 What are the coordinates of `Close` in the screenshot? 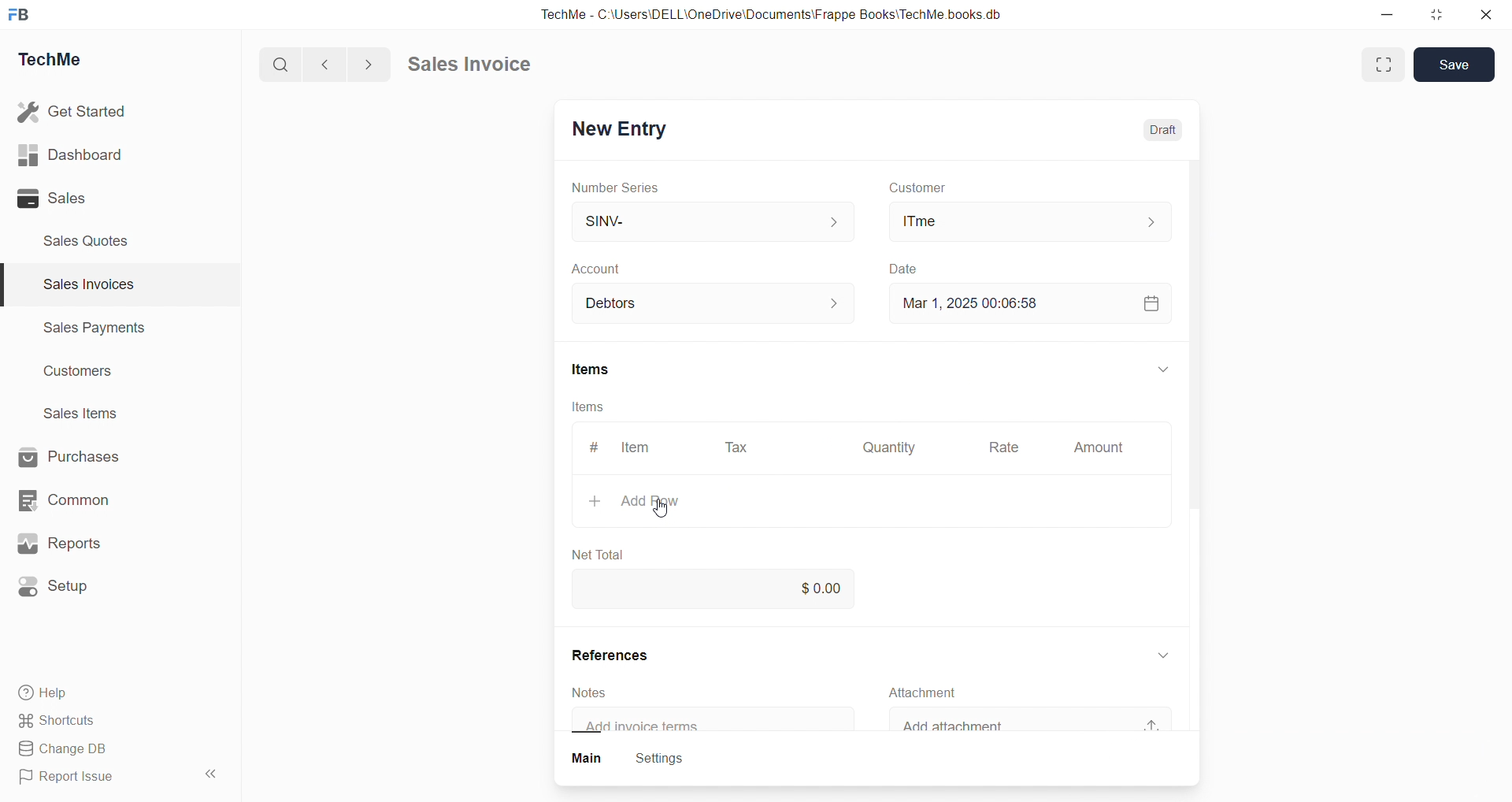 It's located at (1490, 18).